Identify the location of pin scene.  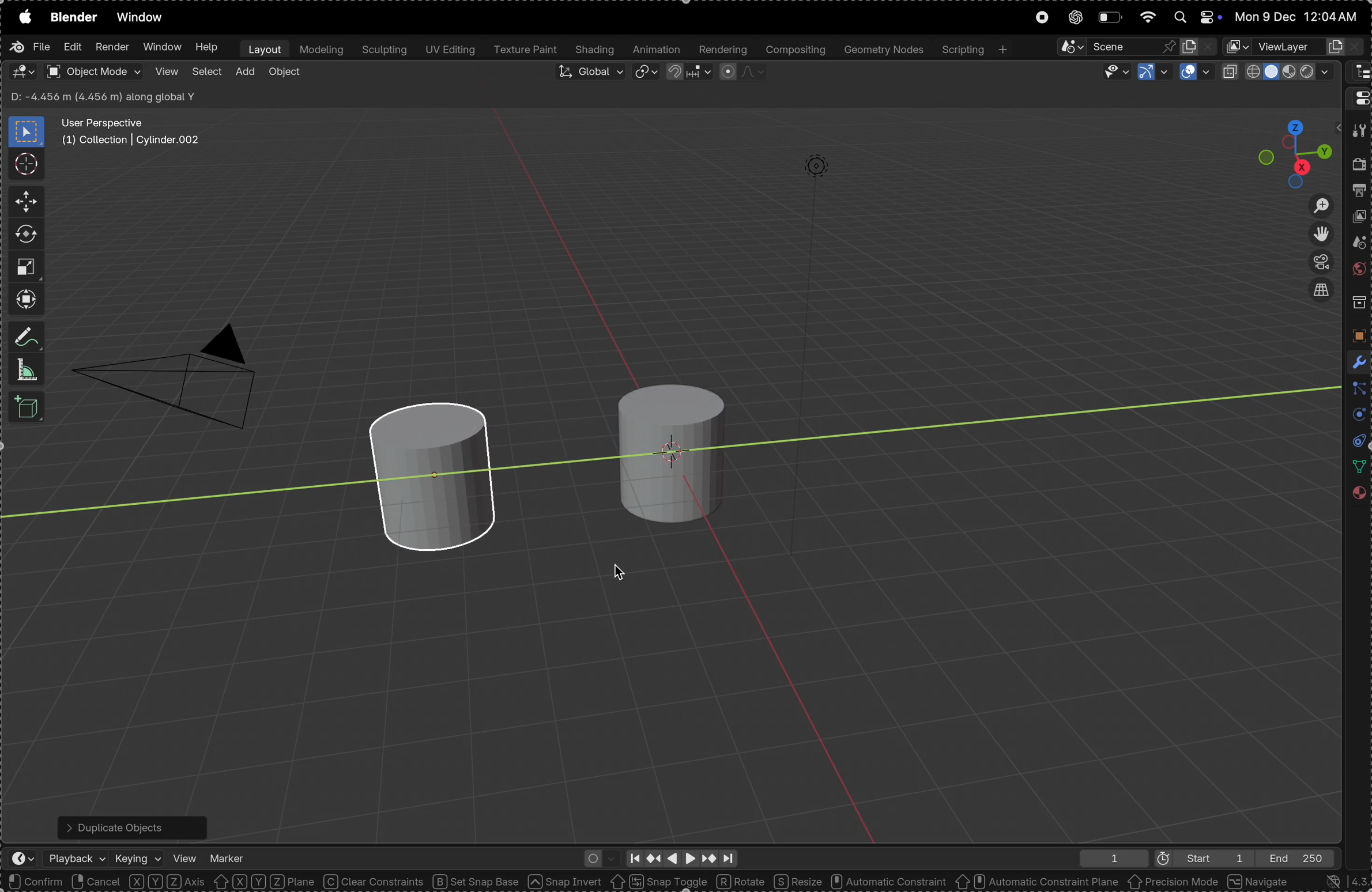
(1113, 46).